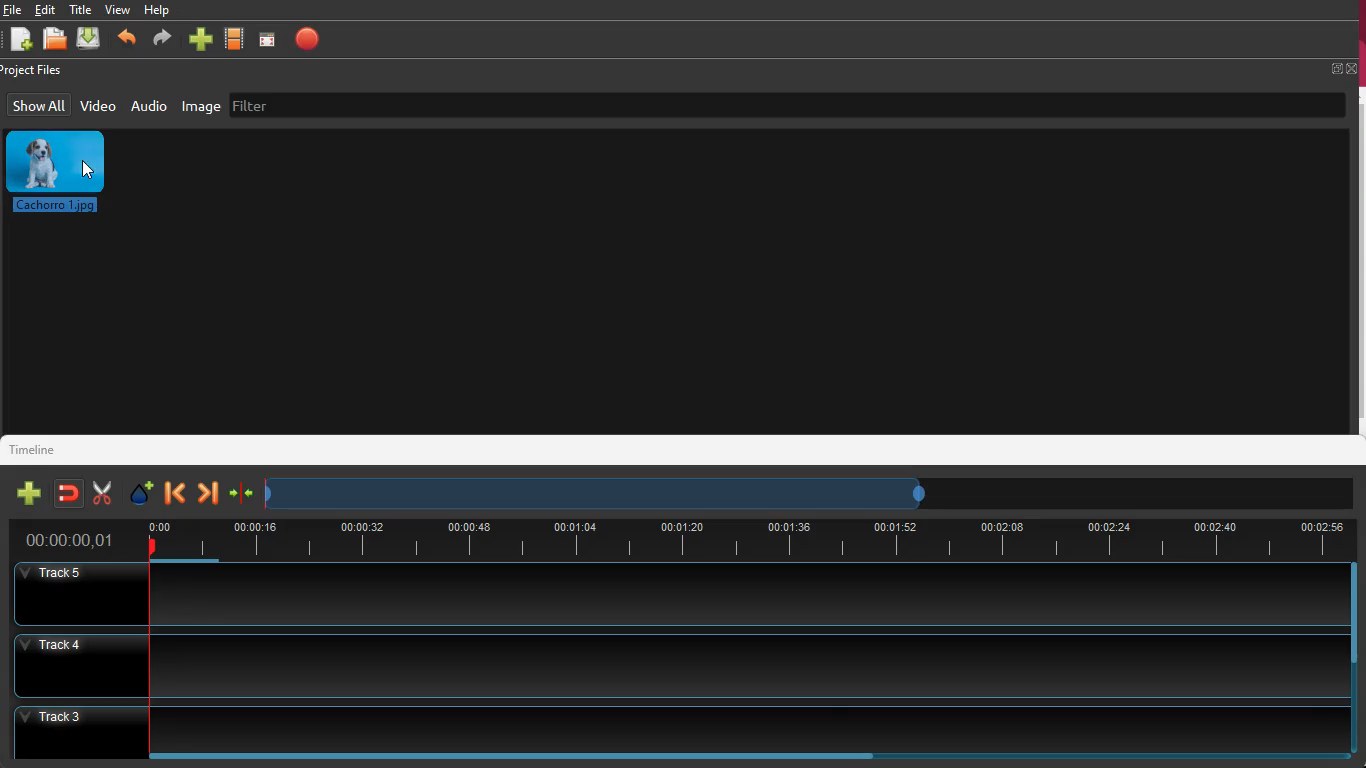  Describe the element at coordinates (40, 105) in the screenshot. I see `show all` at that location.